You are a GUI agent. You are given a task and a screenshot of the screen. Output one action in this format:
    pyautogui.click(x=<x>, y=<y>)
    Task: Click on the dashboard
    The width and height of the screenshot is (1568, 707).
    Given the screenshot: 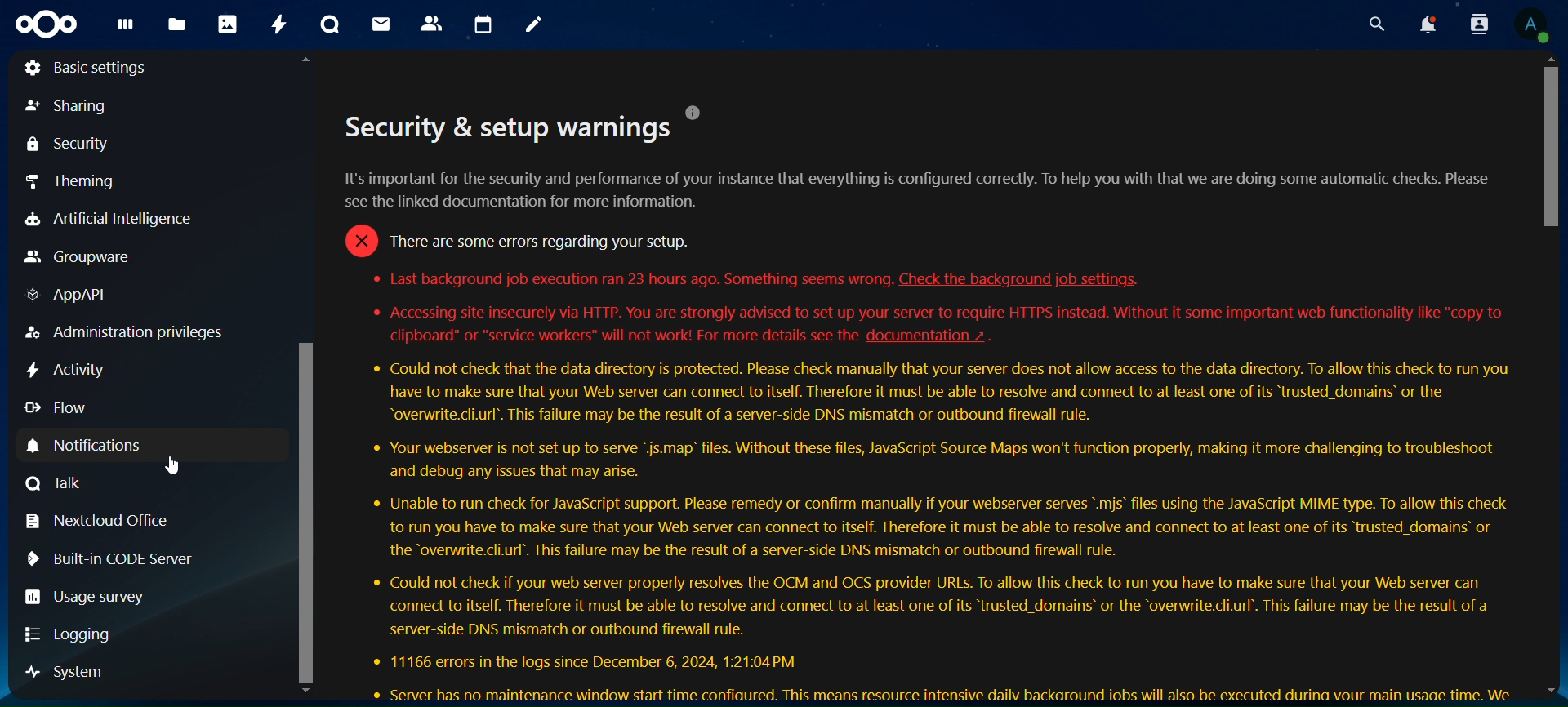 What is the action you would take?
    pyautogui.click(x=127, y=27)
    